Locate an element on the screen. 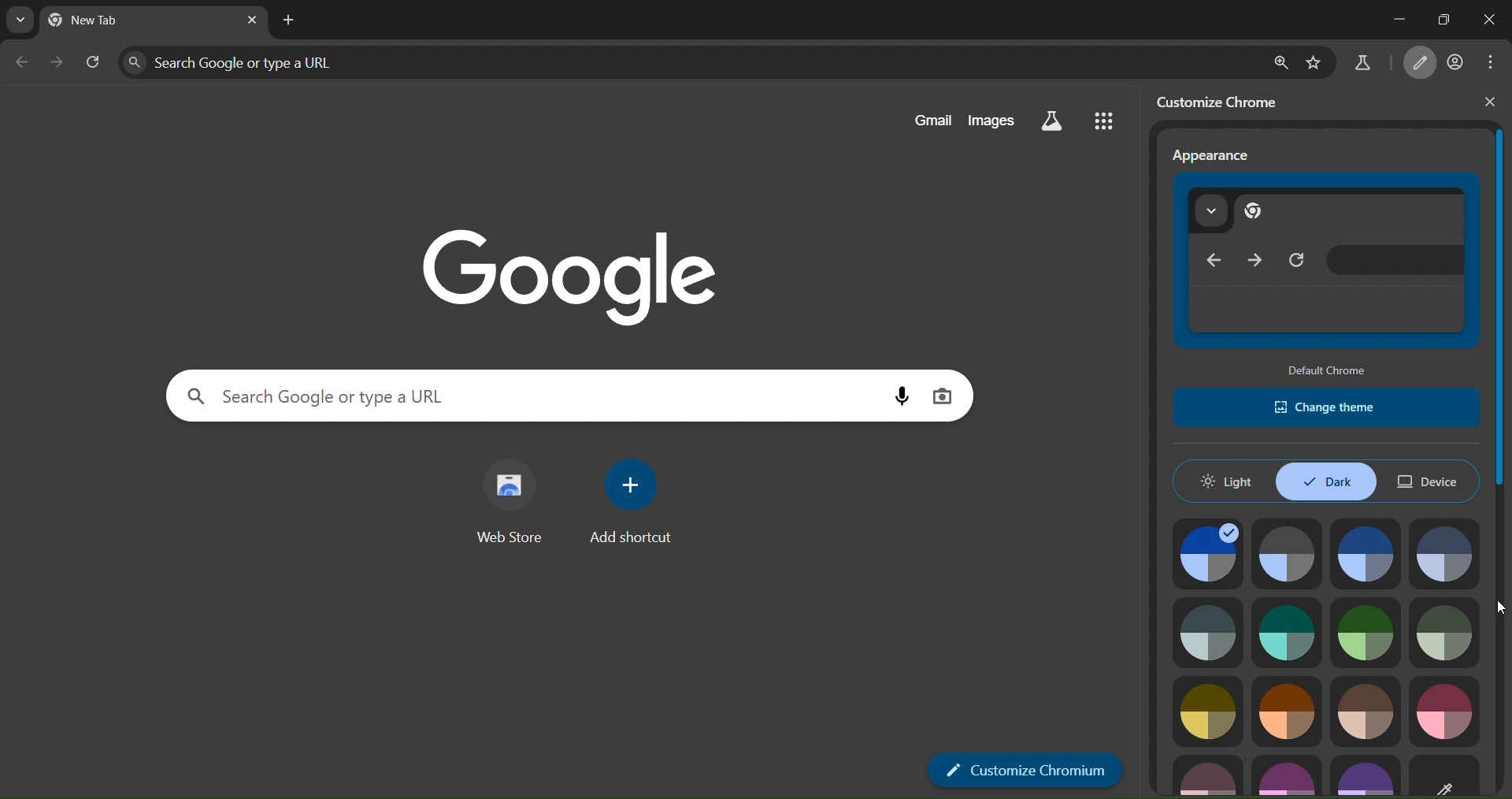 This screenshot has width=1512, height=799. theme is located at coordinates (1447, 550).